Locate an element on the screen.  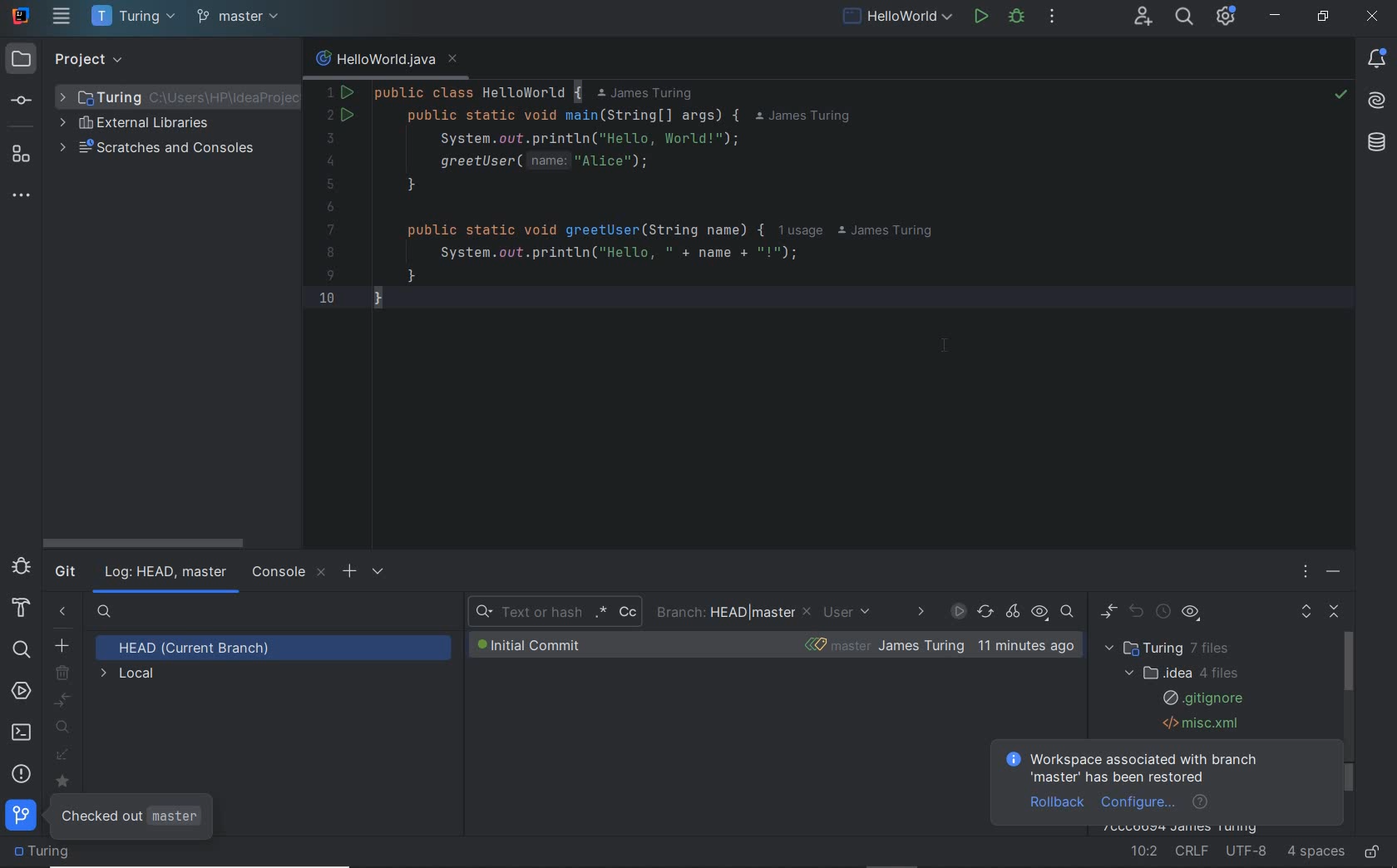
run is located at coordinates (982, 15).